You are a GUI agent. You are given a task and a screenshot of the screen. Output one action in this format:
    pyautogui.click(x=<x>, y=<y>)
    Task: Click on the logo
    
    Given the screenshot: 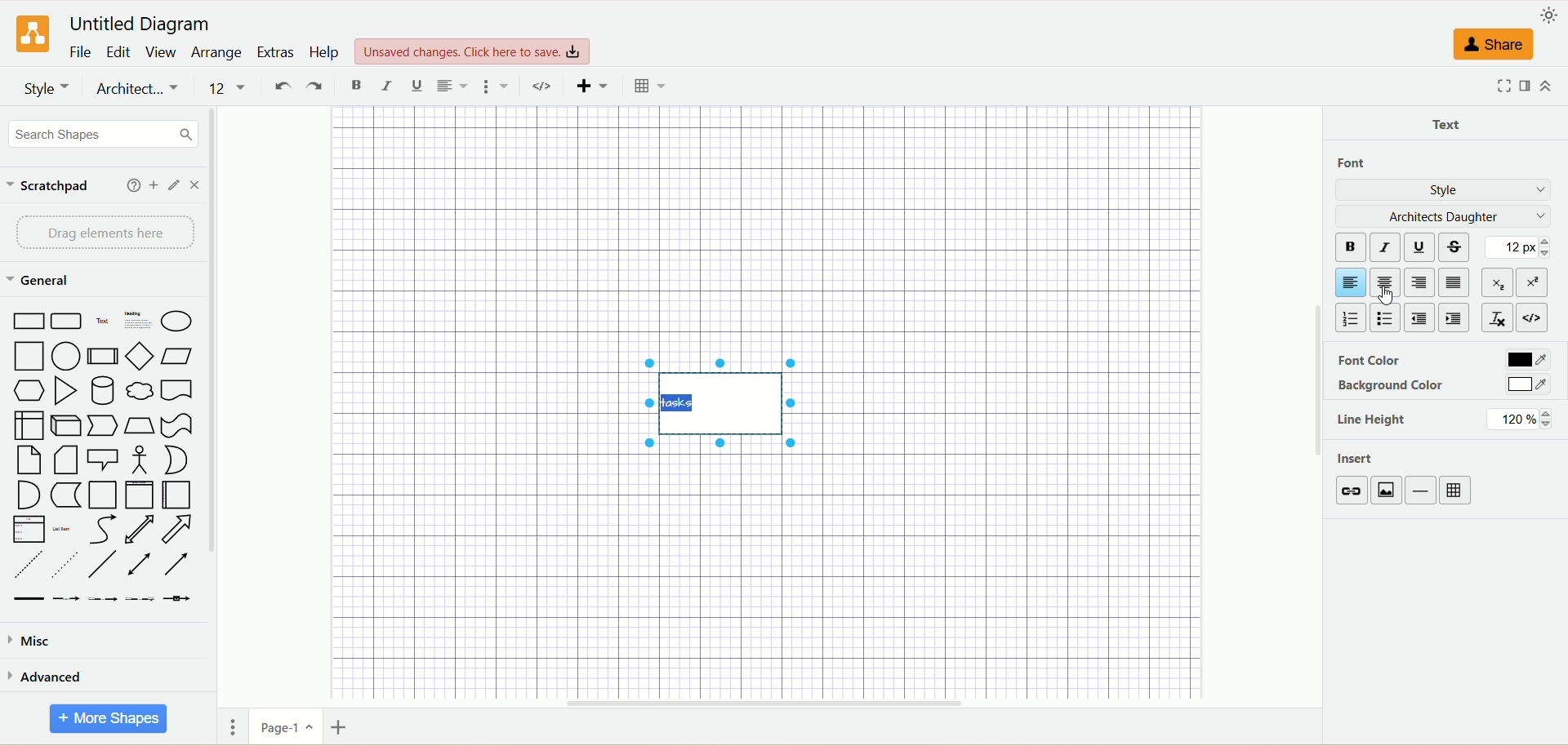 What is the action you would take?
    pyautogui.click(x=34, y=33)
    